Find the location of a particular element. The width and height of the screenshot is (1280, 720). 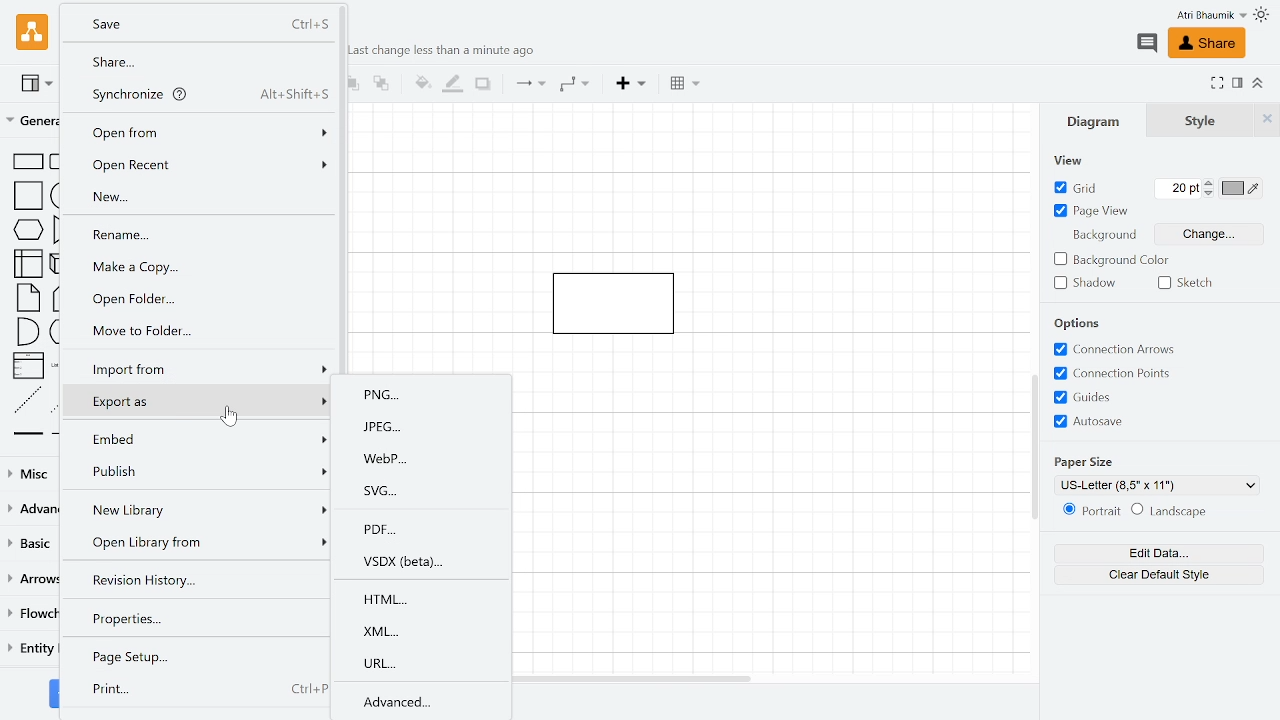

Advanced is located at coordinates (424, 701).